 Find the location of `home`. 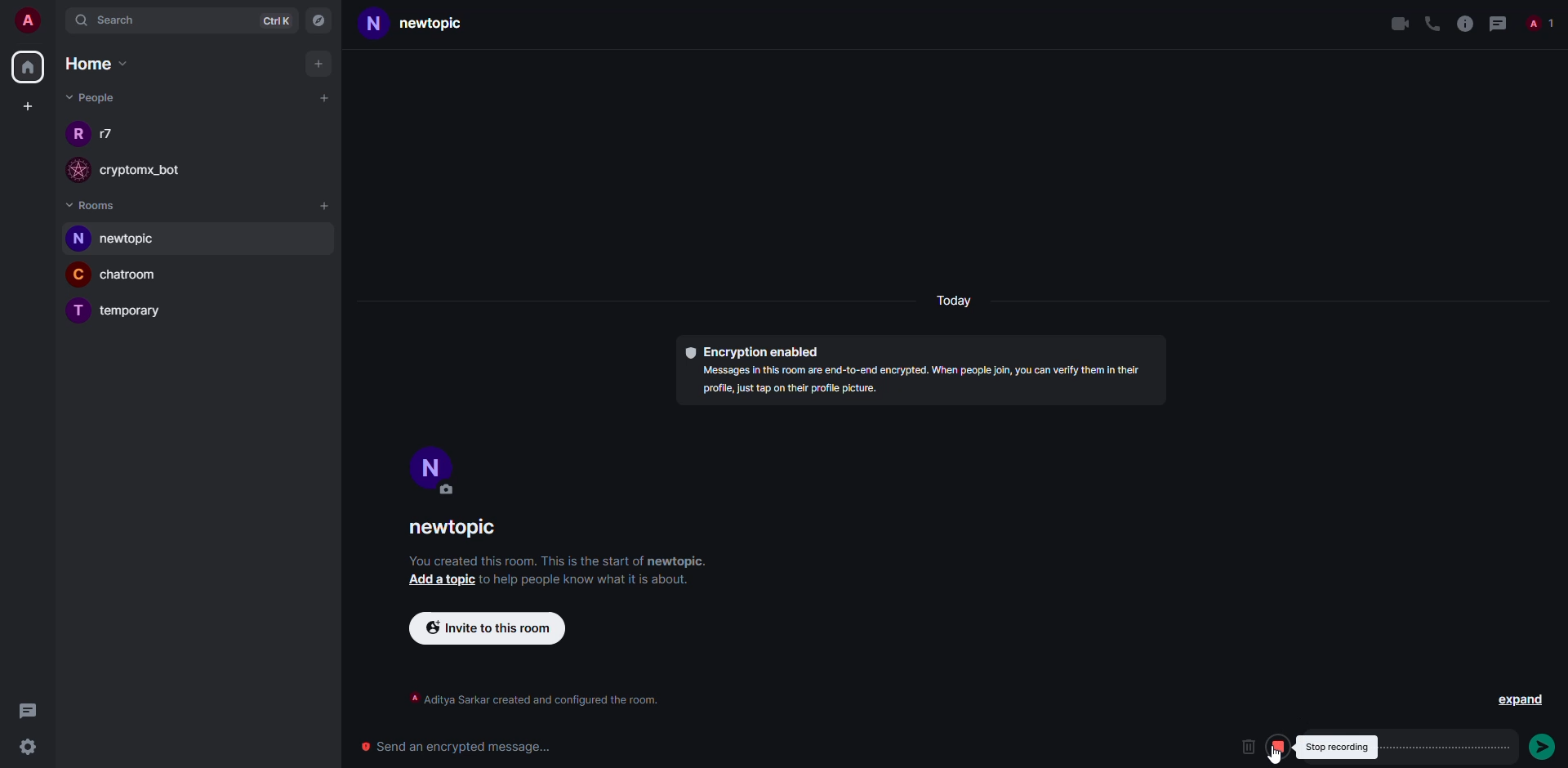

home is located at coordinates (101, 63).